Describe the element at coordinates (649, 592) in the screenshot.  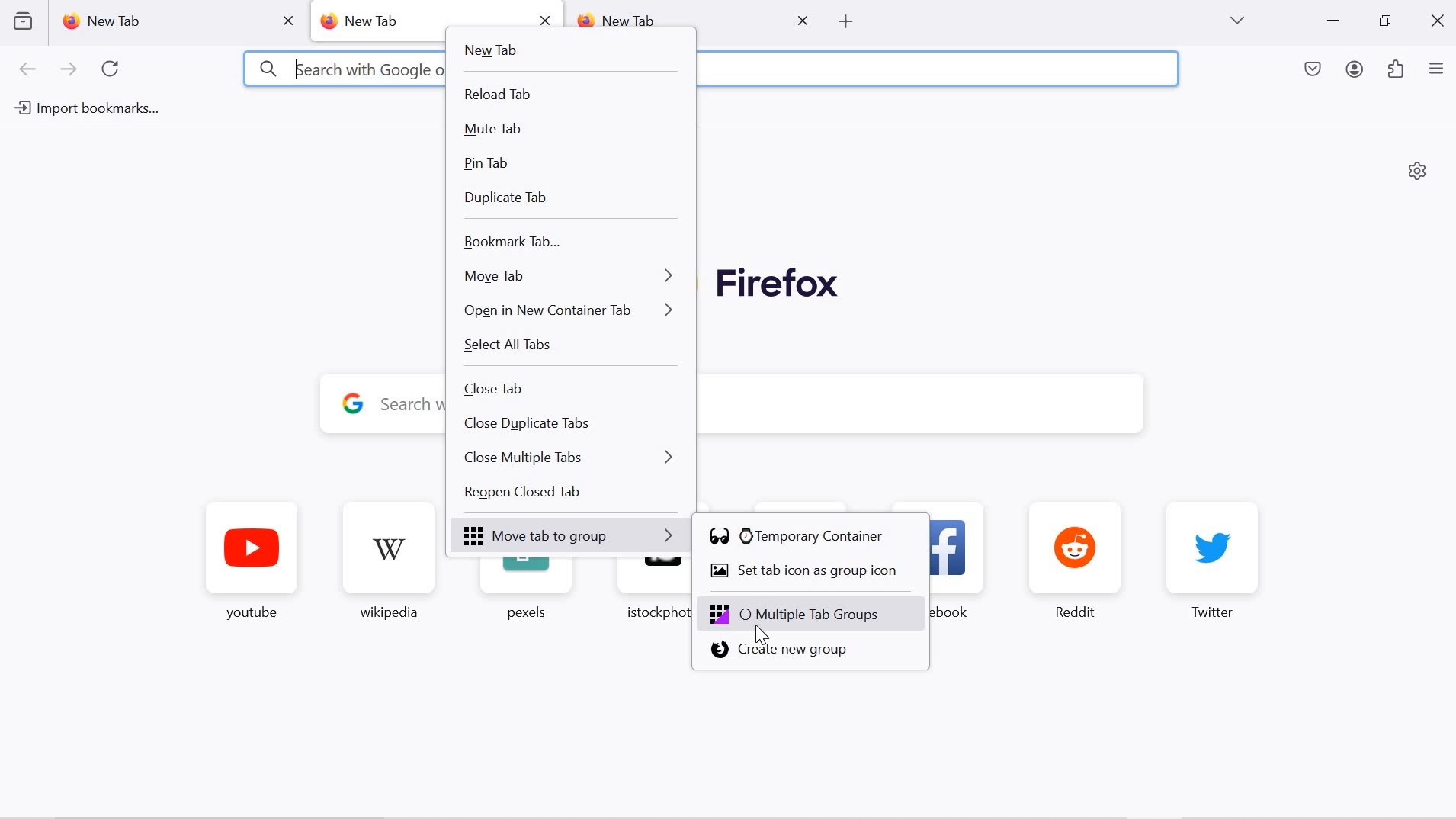
I see `istockphoto favorite` at that location.